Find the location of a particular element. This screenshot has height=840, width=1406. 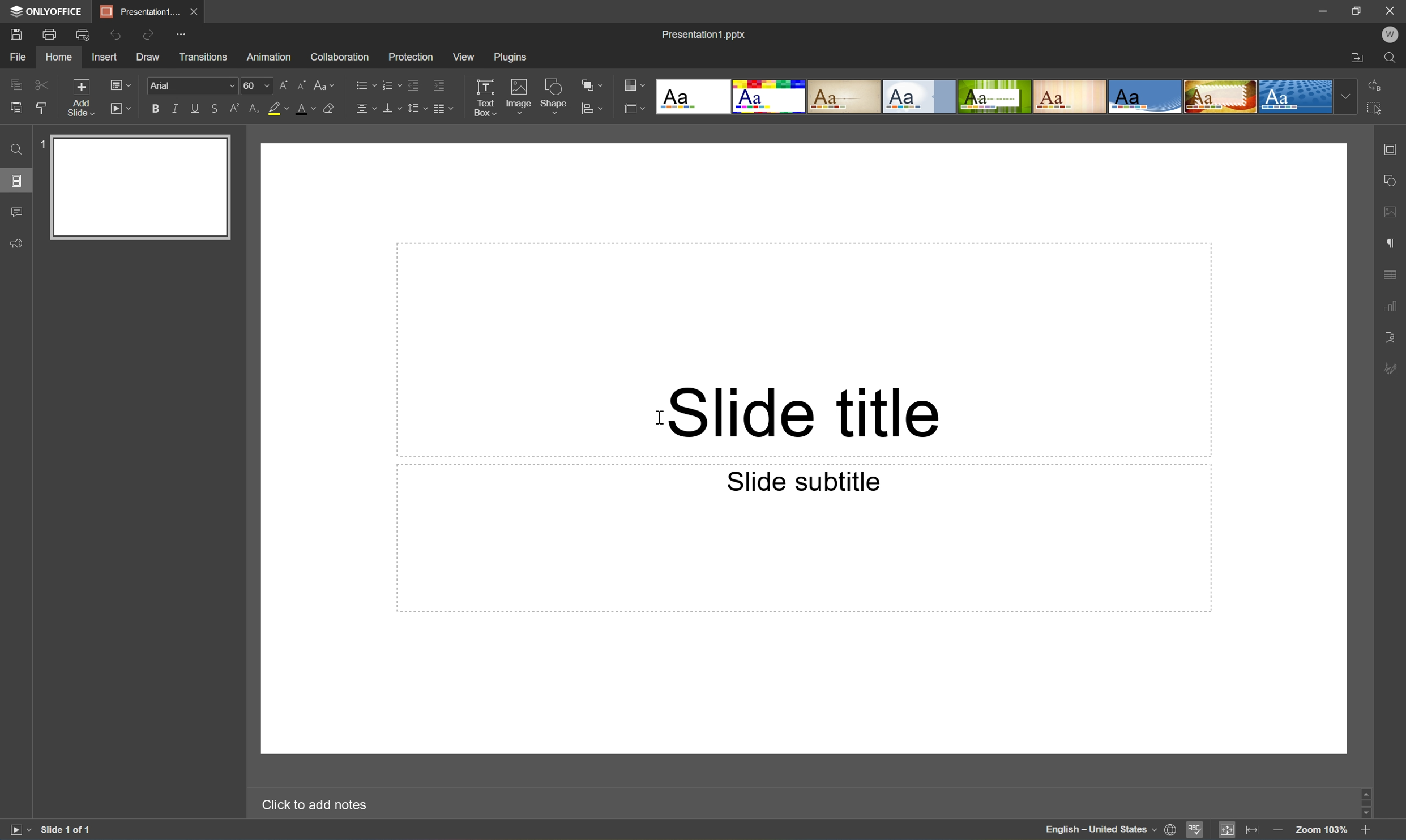

Close is located at coordinates (194, 11).